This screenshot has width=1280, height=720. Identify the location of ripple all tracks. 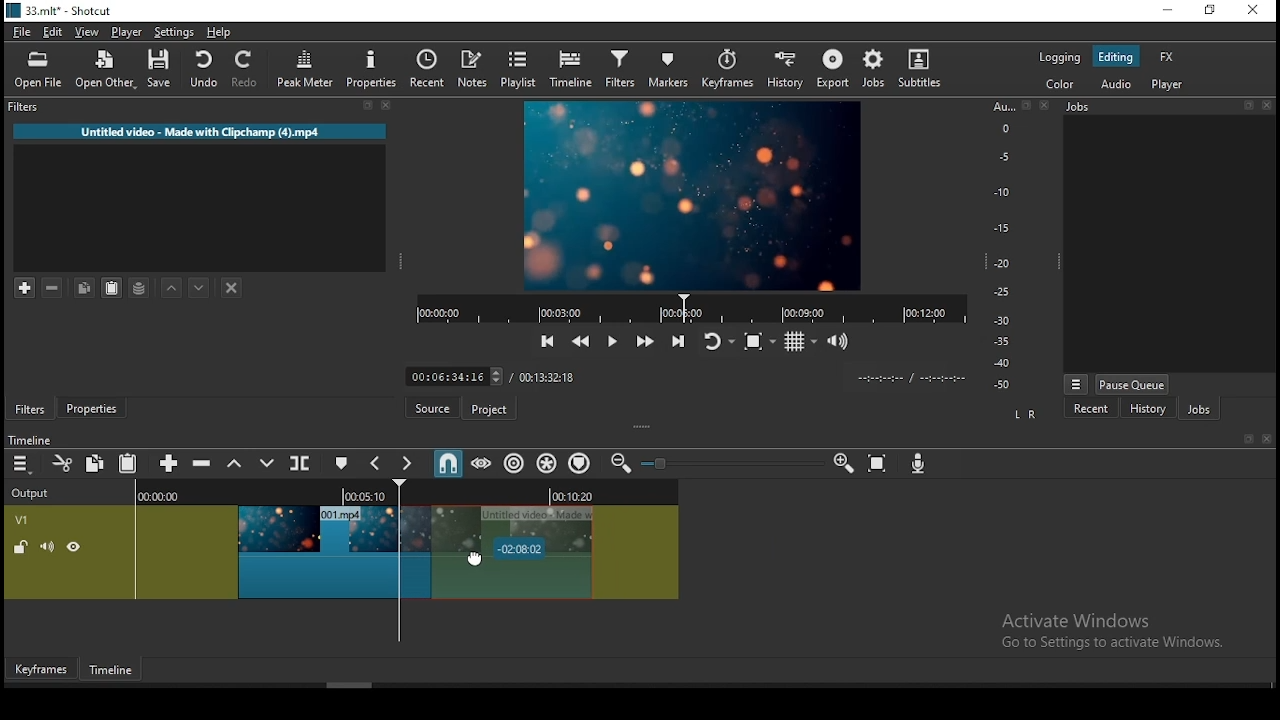
(548, 462).